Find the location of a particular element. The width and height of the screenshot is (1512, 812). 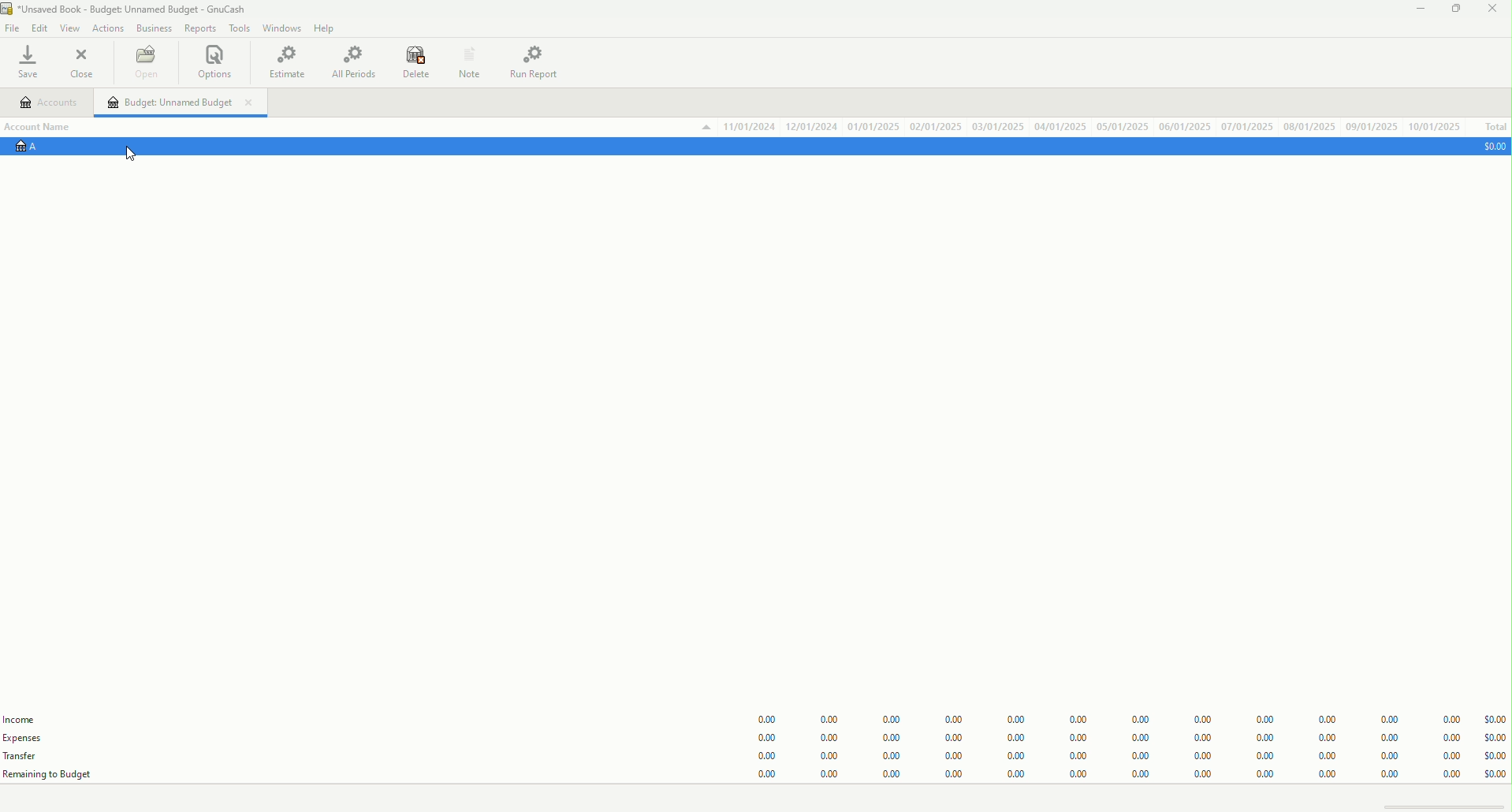

Transfer is located at coordinates (21, 758).